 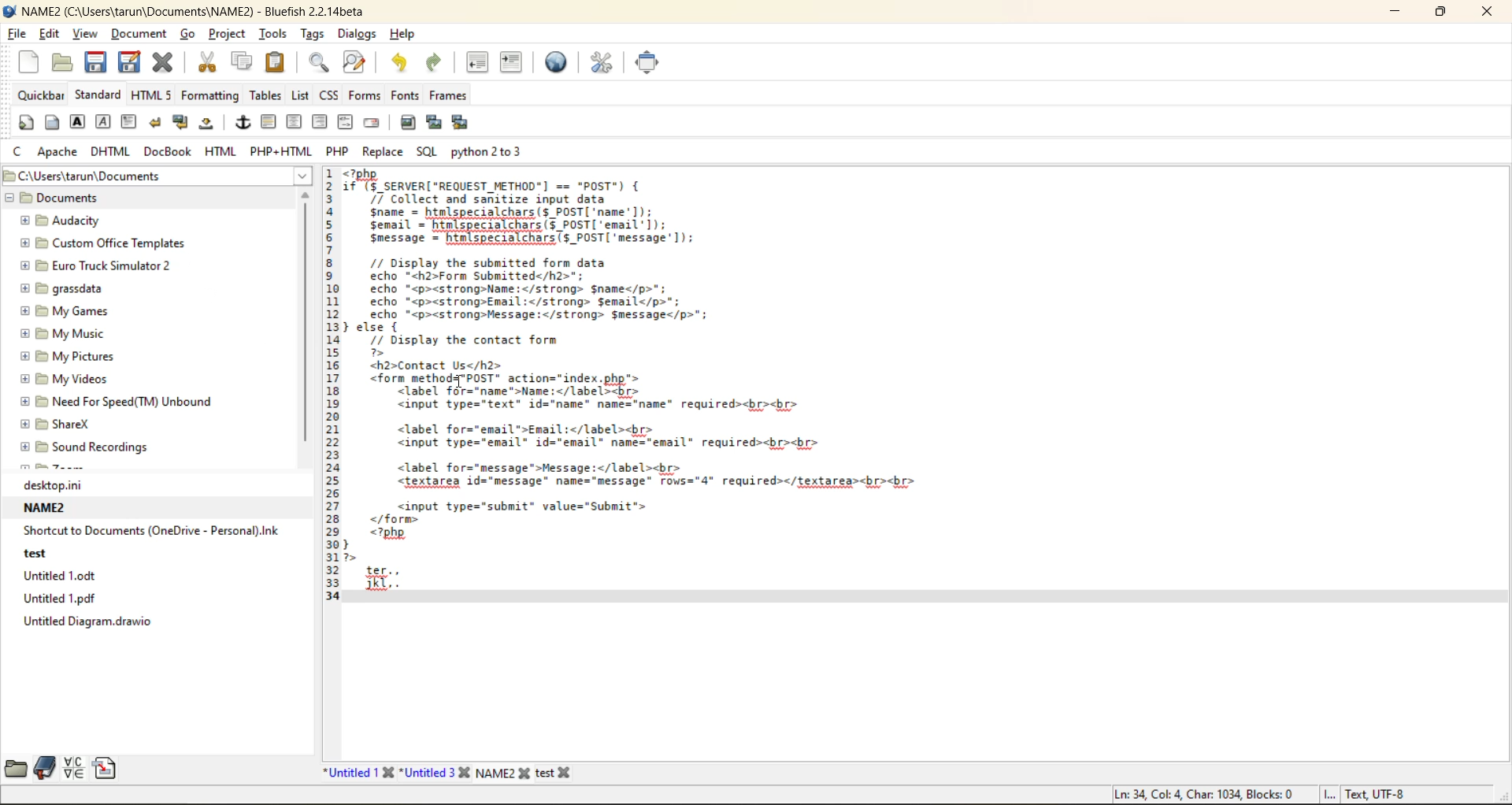 What do you see at coordinates (83, 356) in the screenshot?
I see `my pictures` at bounding box center [83, 356].